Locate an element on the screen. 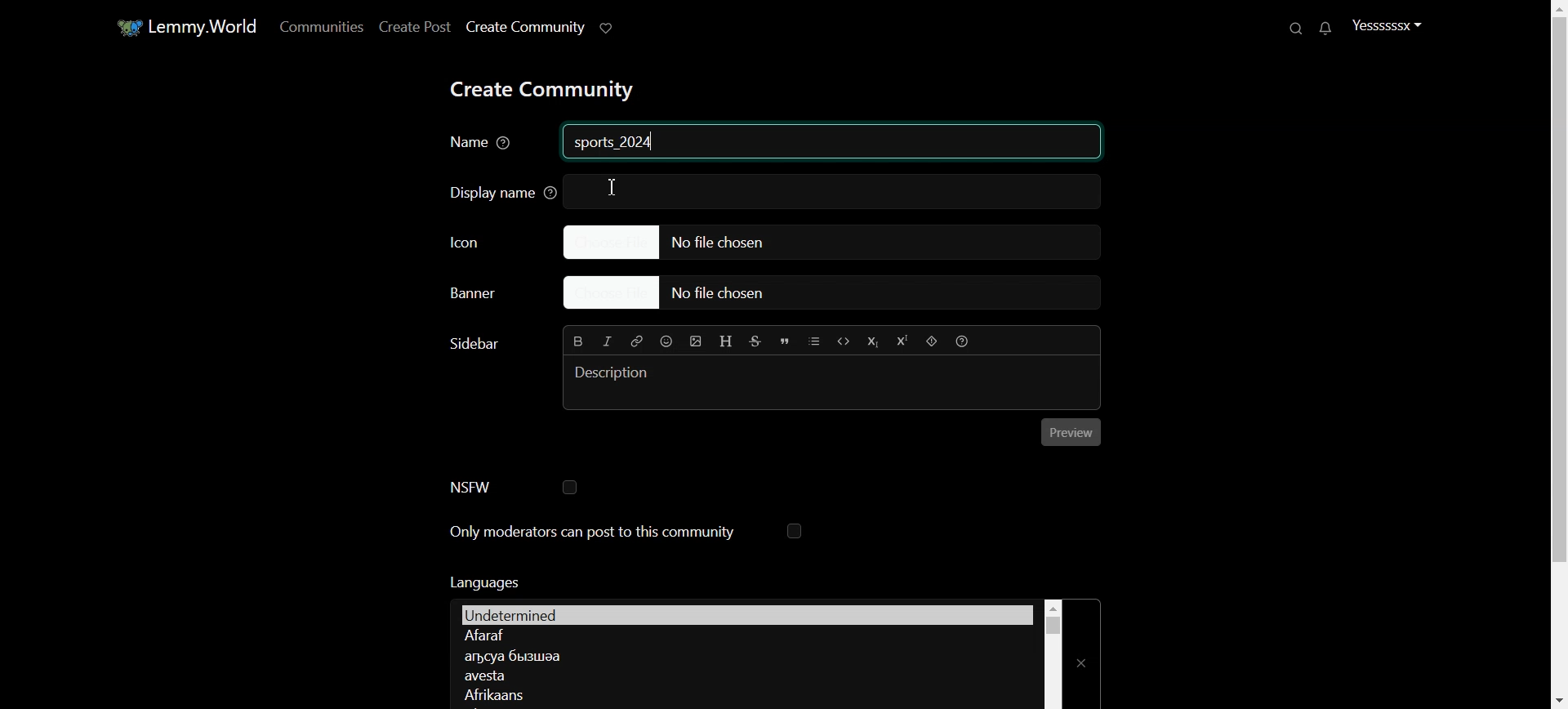  List is located at coordinates (814, 341).